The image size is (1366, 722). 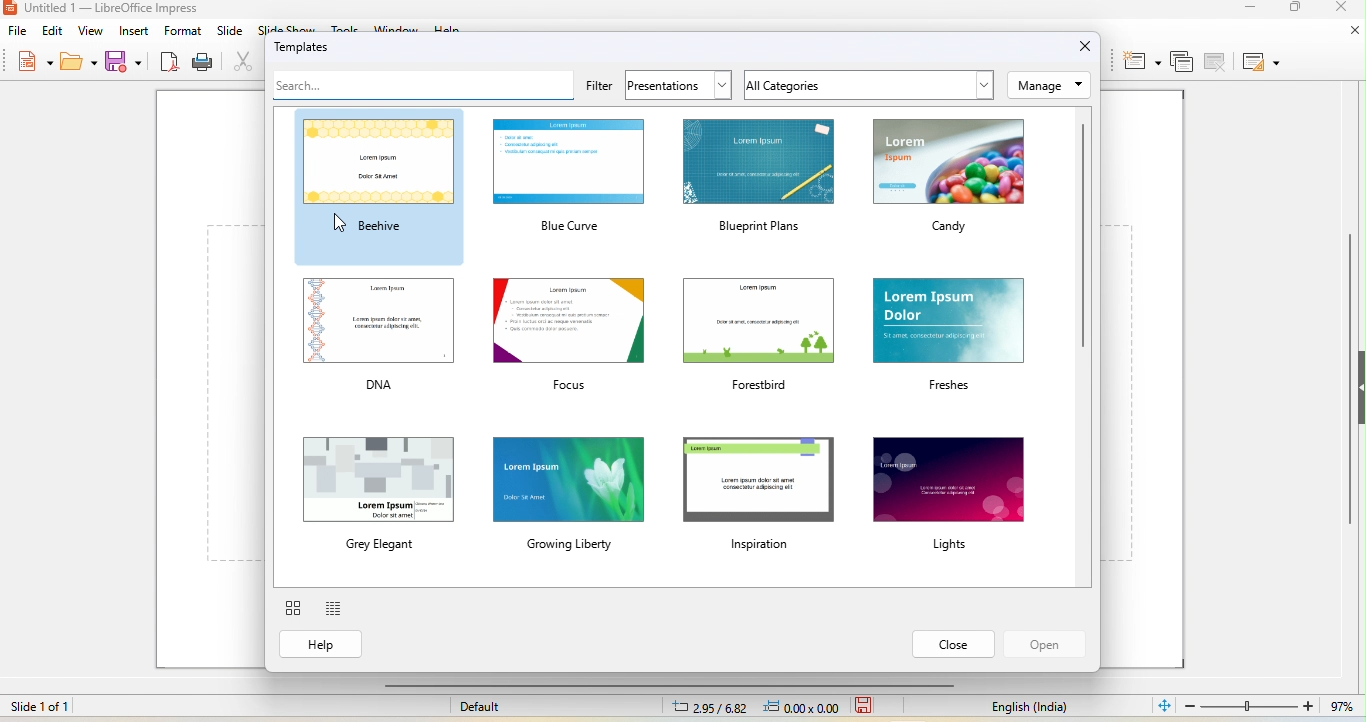 I want to click on export as pdf, so click(x=171, y=63).